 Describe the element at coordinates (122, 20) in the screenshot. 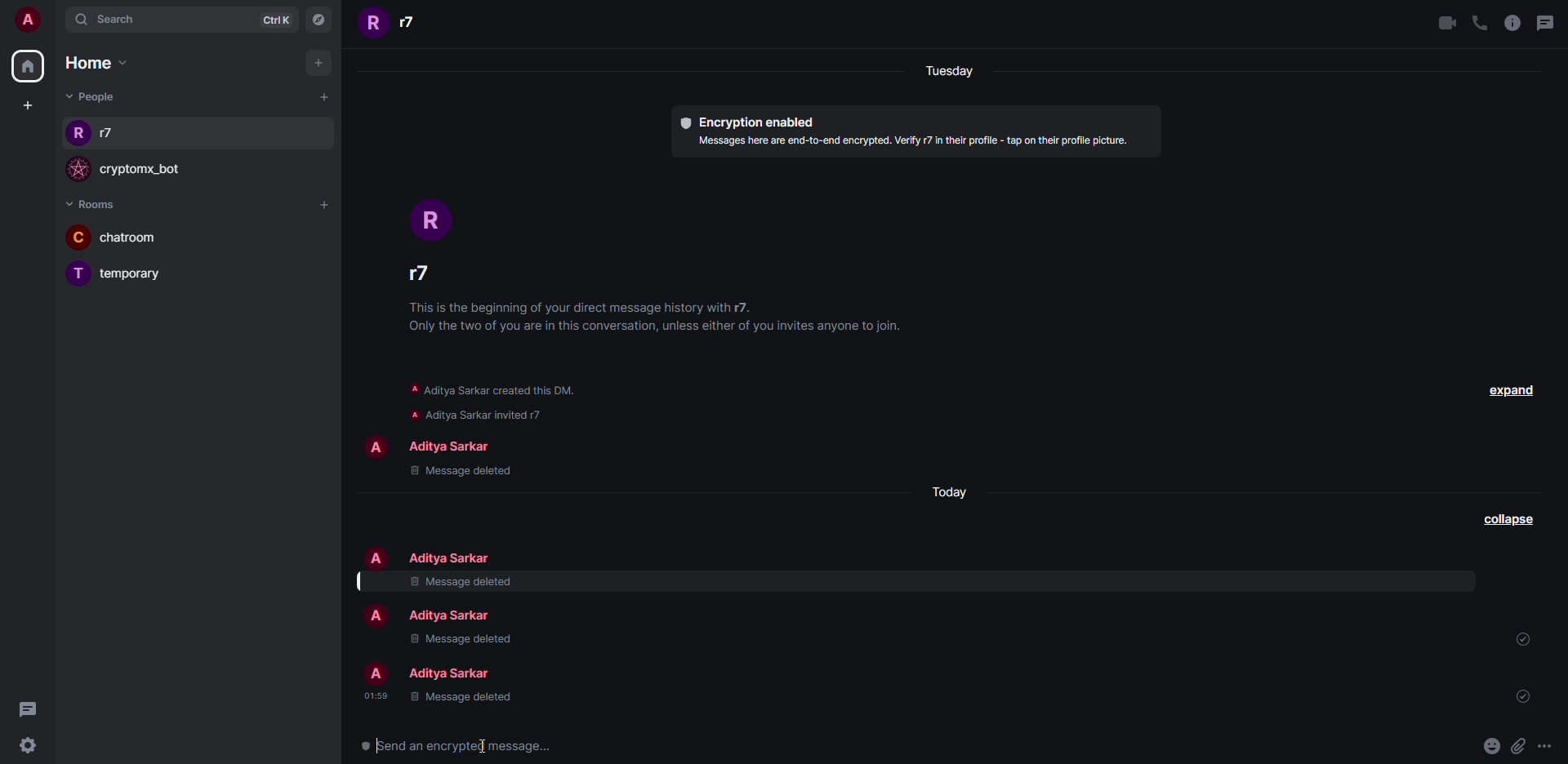

I see `search` at that location.